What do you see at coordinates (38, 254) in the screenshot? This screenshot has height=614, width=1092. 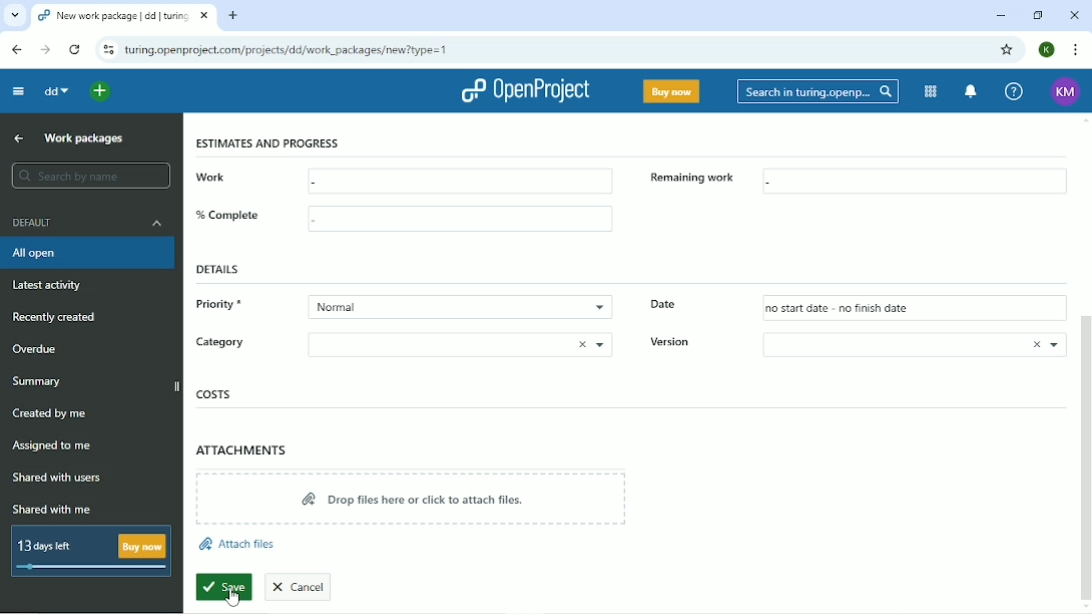 I see `All open` at bounding box center [38, 254].